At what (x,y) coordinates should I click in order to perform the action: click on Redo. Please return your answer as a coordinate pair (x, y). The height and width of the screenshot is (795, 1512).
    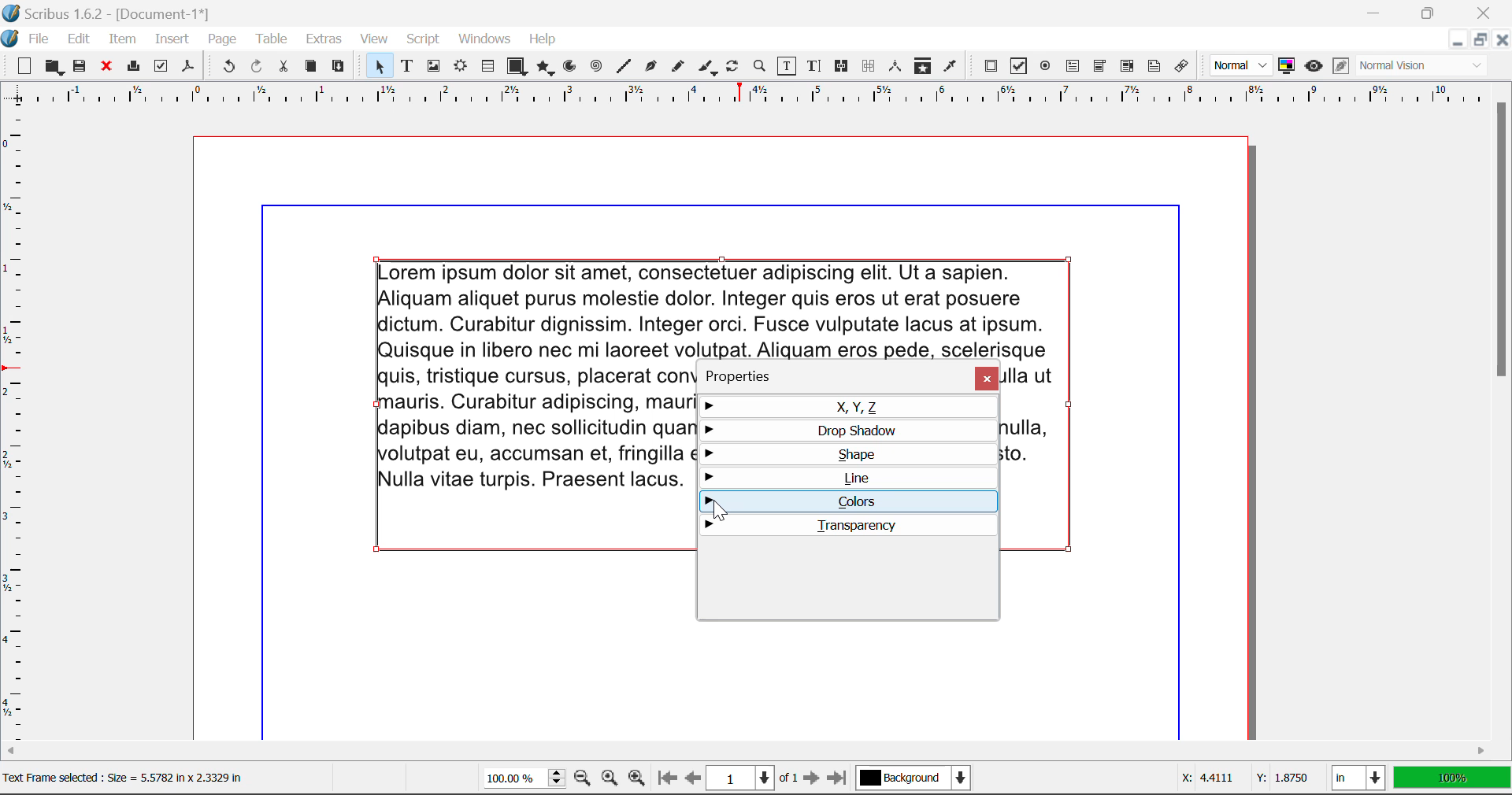
    Looking at the image, I should click on (257, 68).